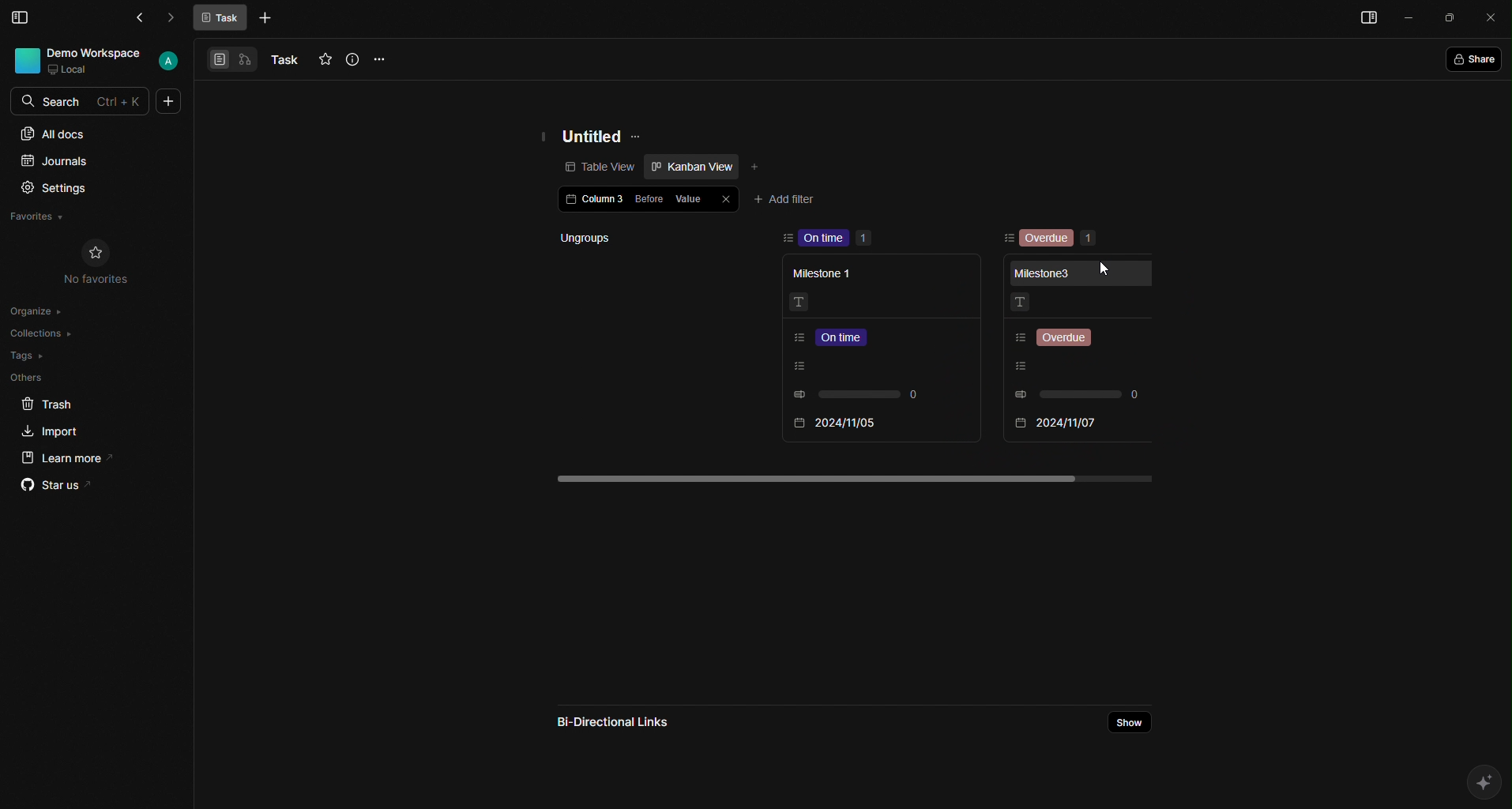 The image size is (1512, 809). What do you see at coordinates (1020, 303) in the screenshot?
I see `Text` at bounding box center [1020, 303].